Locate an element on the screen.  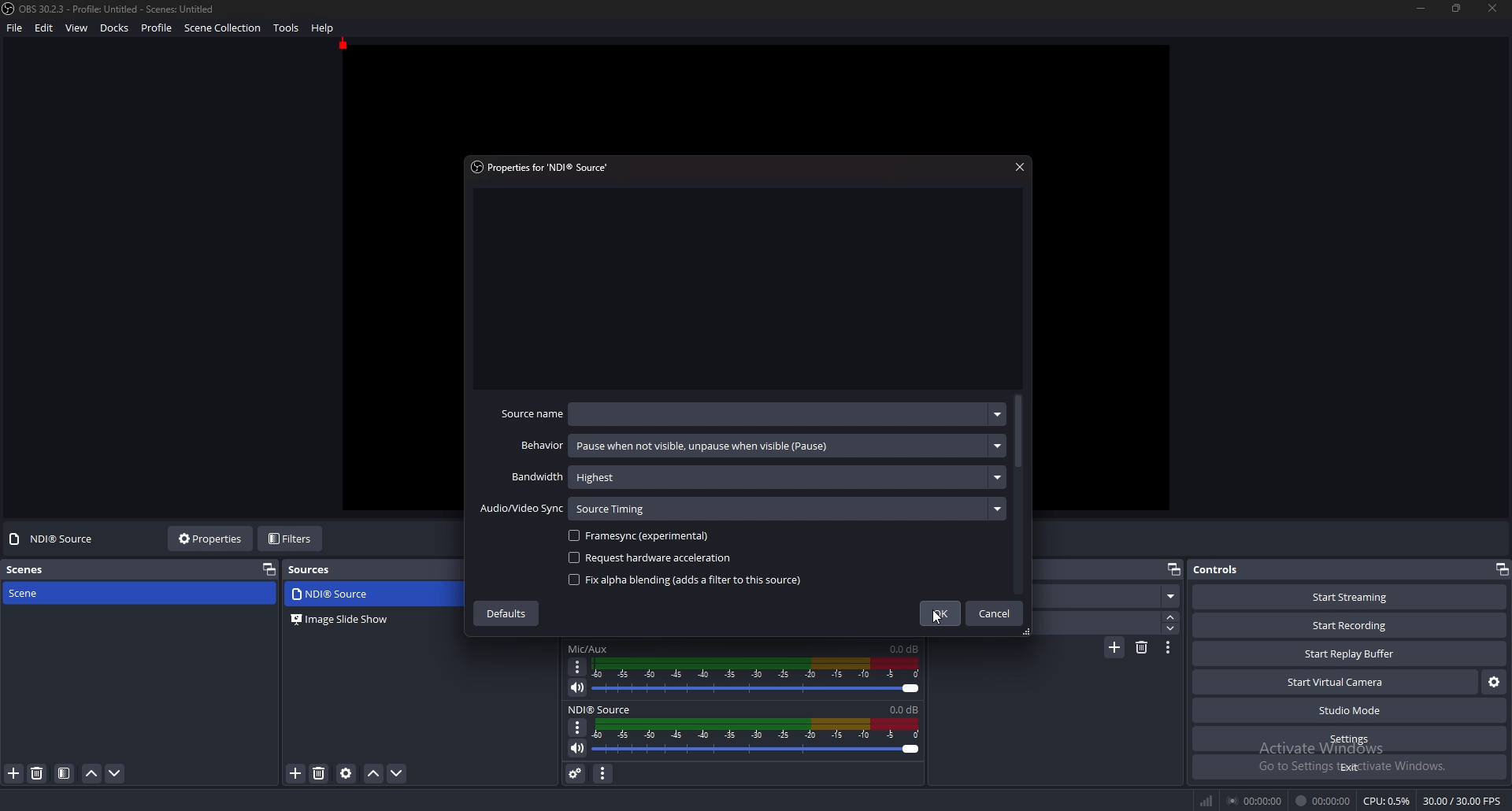
move source down is located at coordinates (397, 773).